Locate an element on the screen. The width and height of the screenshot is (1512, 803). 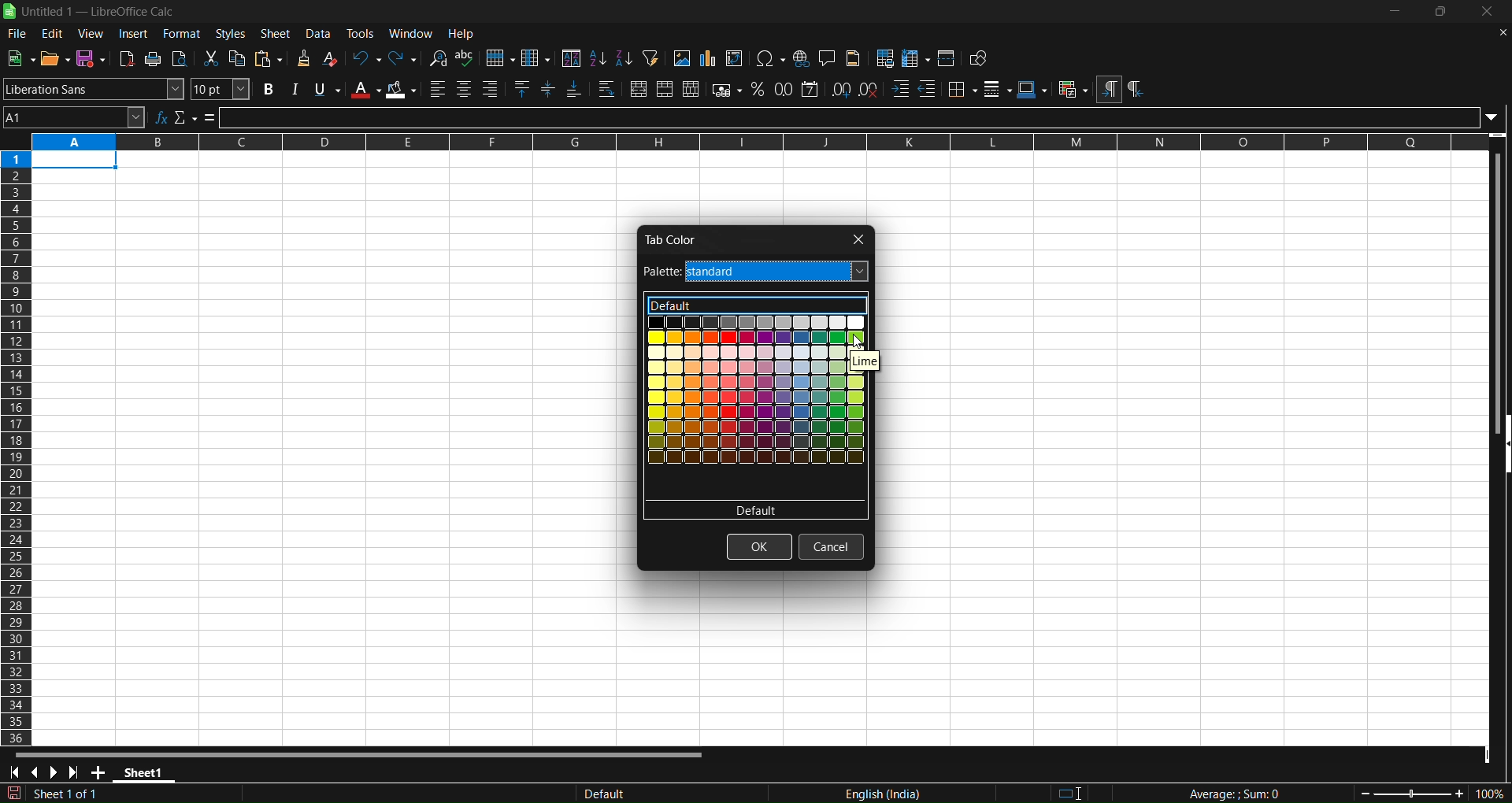
bold is located at coordinates (265, 90).